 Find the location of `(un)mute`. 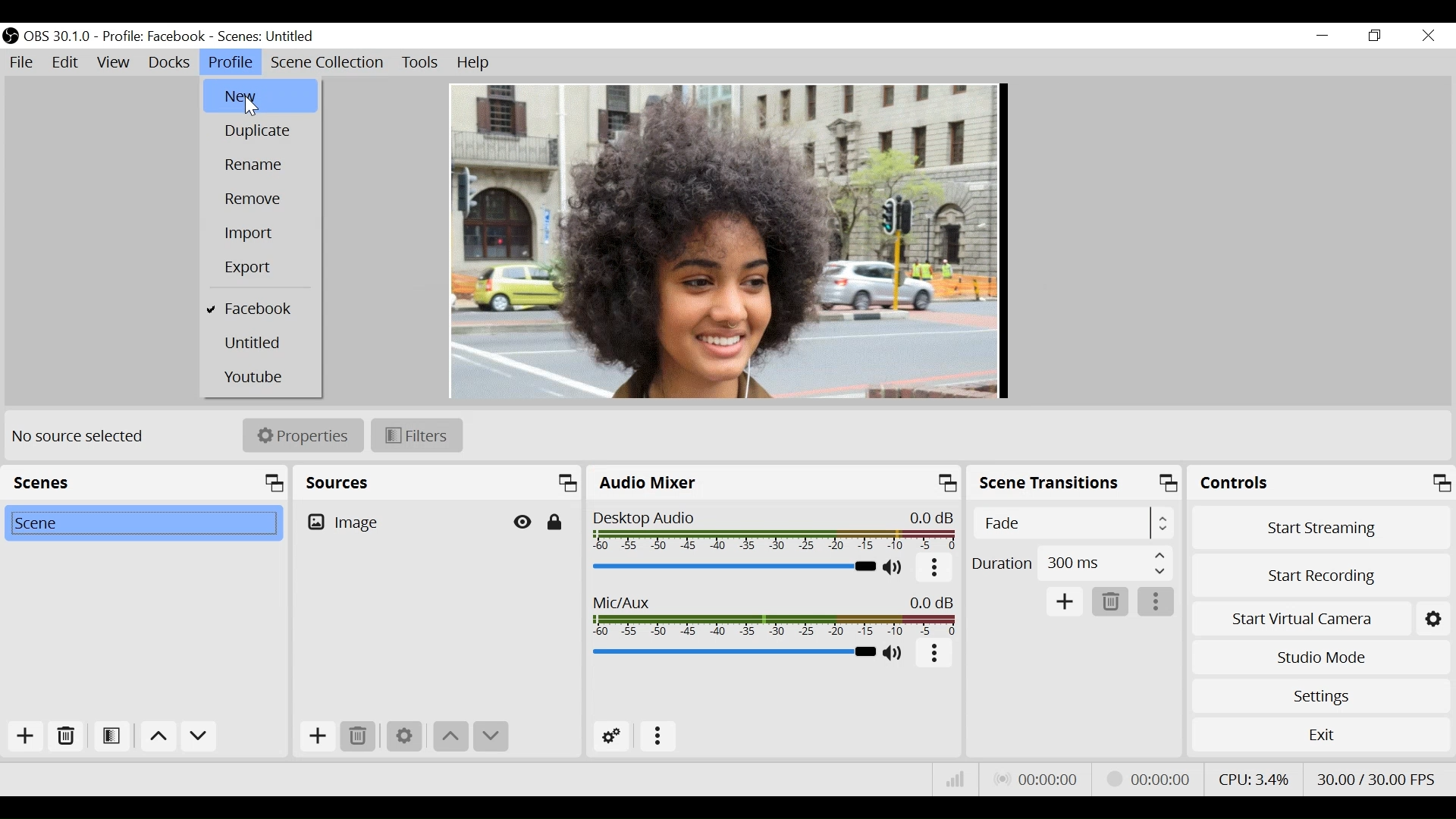

(un)mute is located at coordinates (895, 569).